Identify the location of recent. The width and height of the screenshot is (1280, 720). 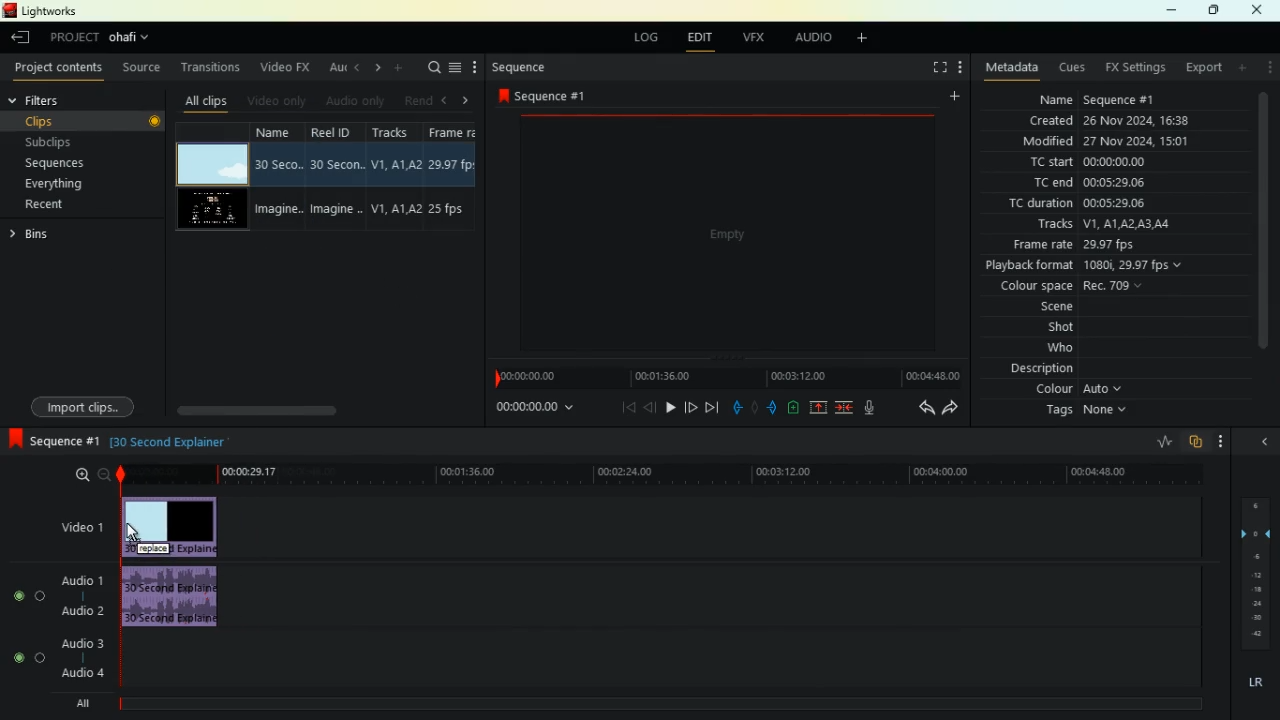
(56, 205).